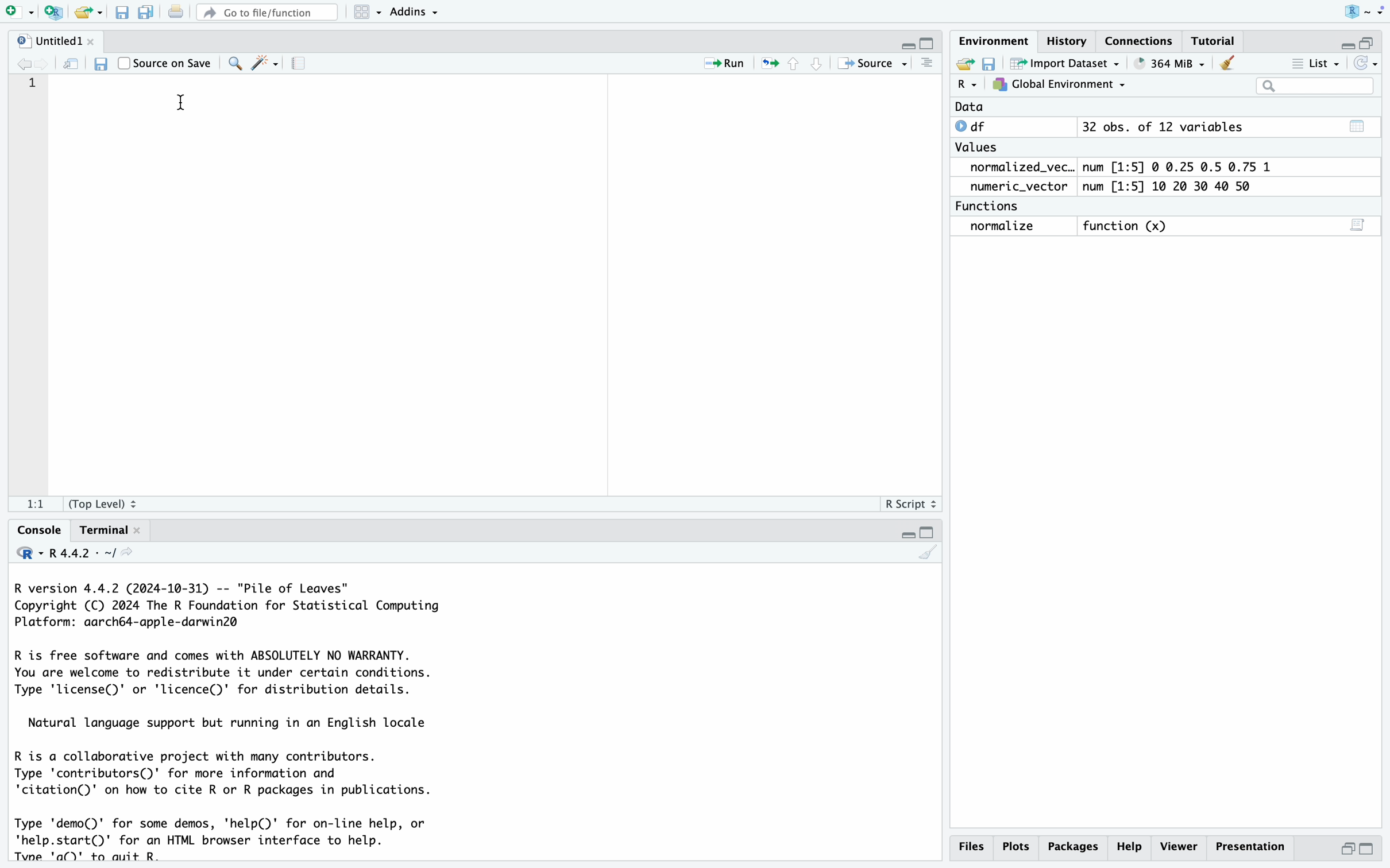 The width and height of the screenshot is (1390, 868). I want to click on num [1:5] 0 0.25 0.5 0.75 1, so click(1180, 167).